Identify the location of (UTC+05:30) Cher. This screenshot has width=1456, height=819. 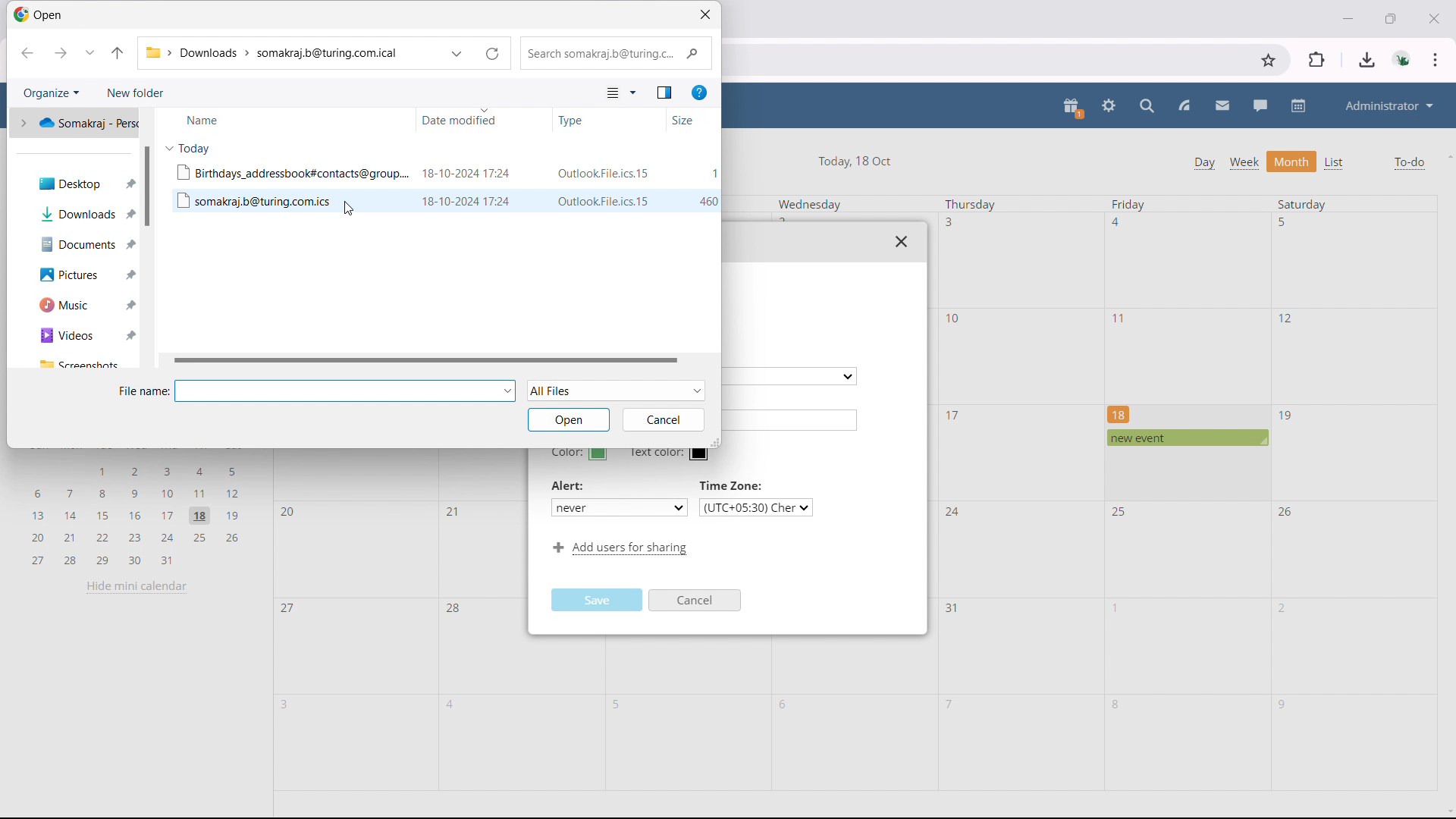
(756, 507).